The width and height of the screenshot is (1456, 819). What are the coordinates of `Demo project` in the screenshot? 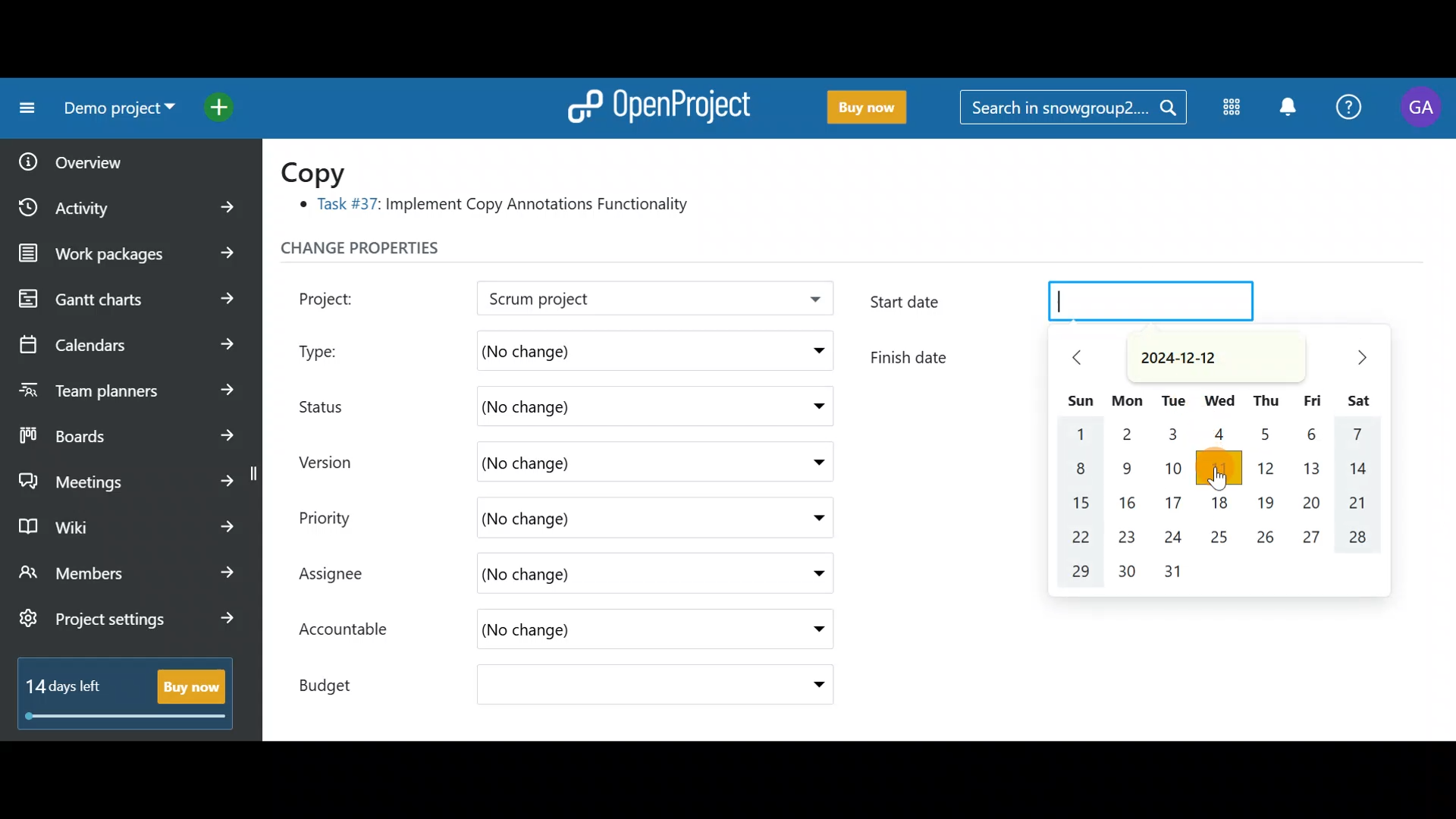 It's located at (114, 111).